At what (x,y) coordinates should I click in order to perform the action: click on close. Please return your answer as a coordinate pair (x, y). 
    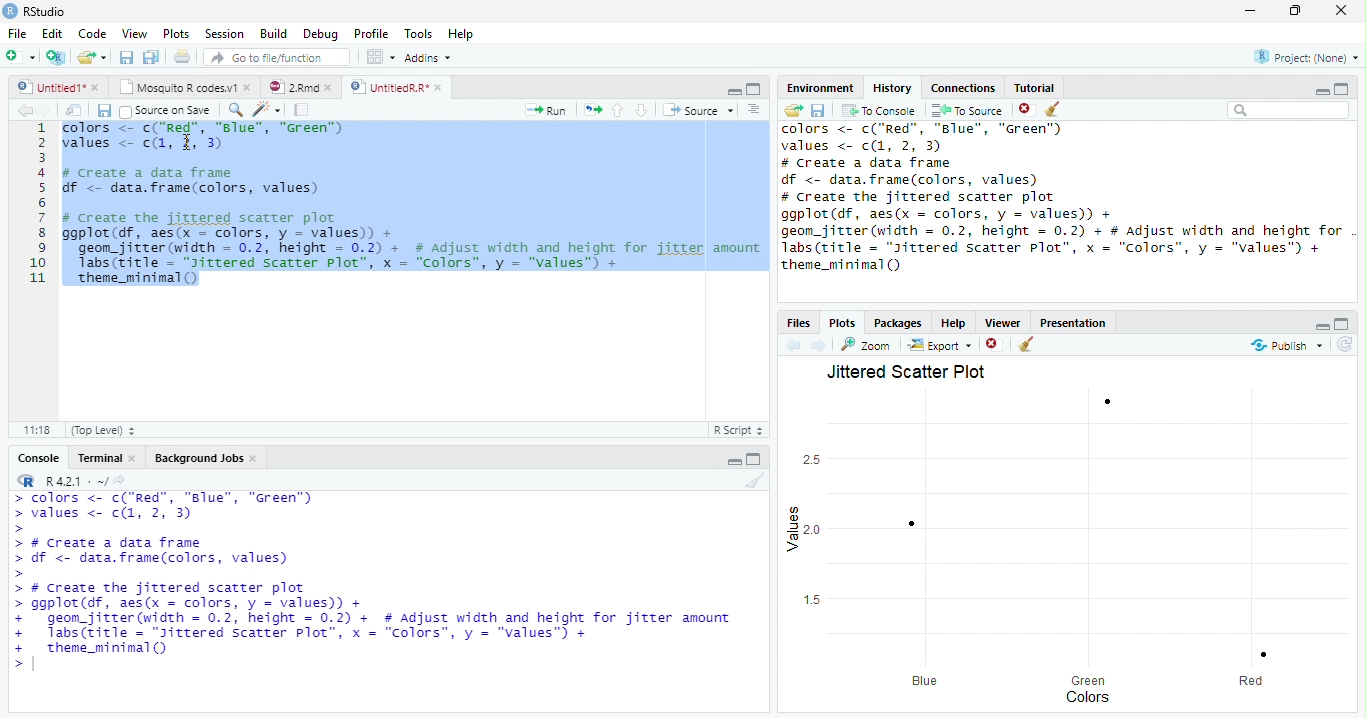
    Looking at the image, I should click on (438, 88).